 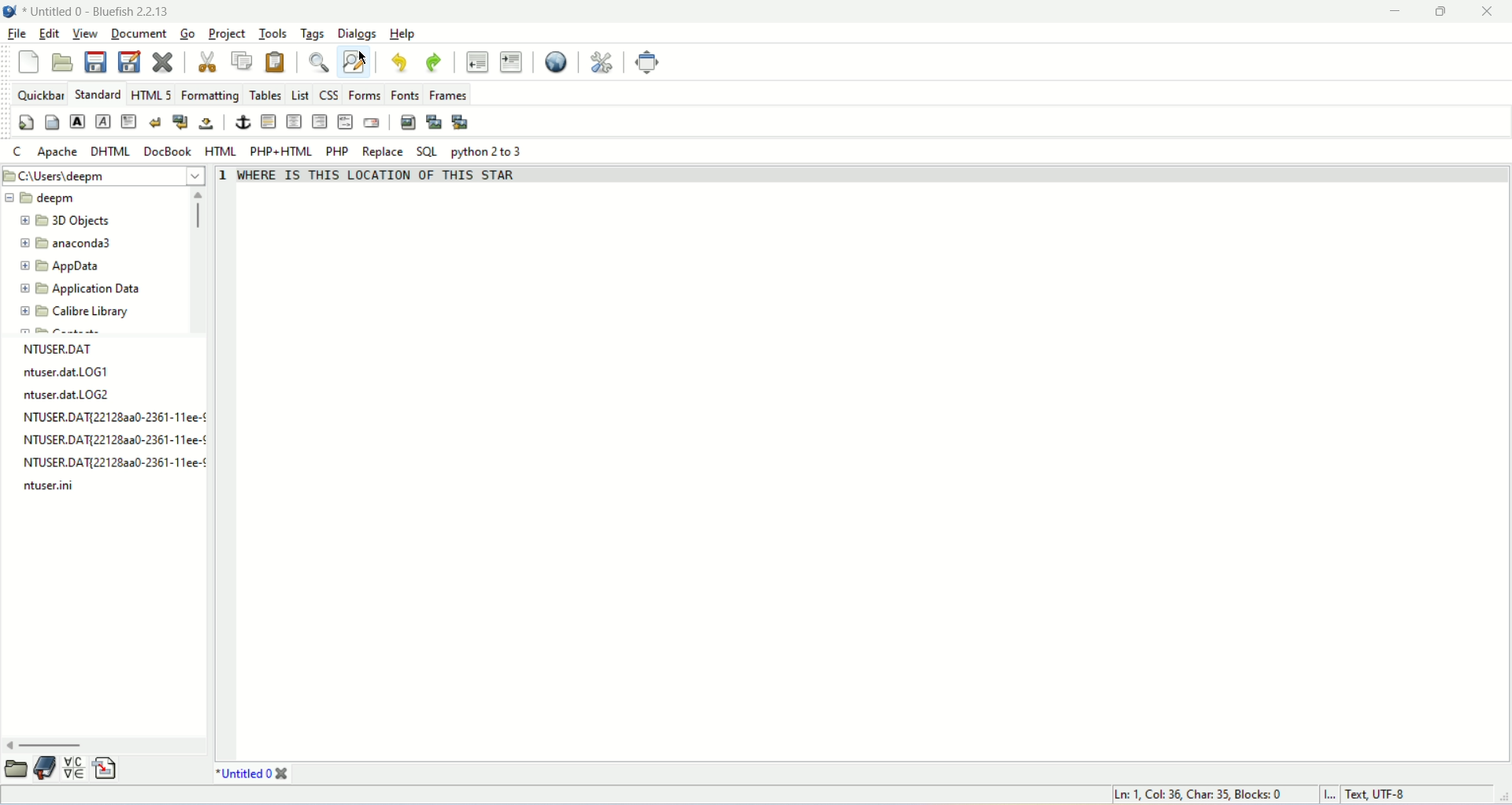 What do you see at coordinates (265, 96) in the screenshot?
I see `tables` at bounding box center [265, 96].